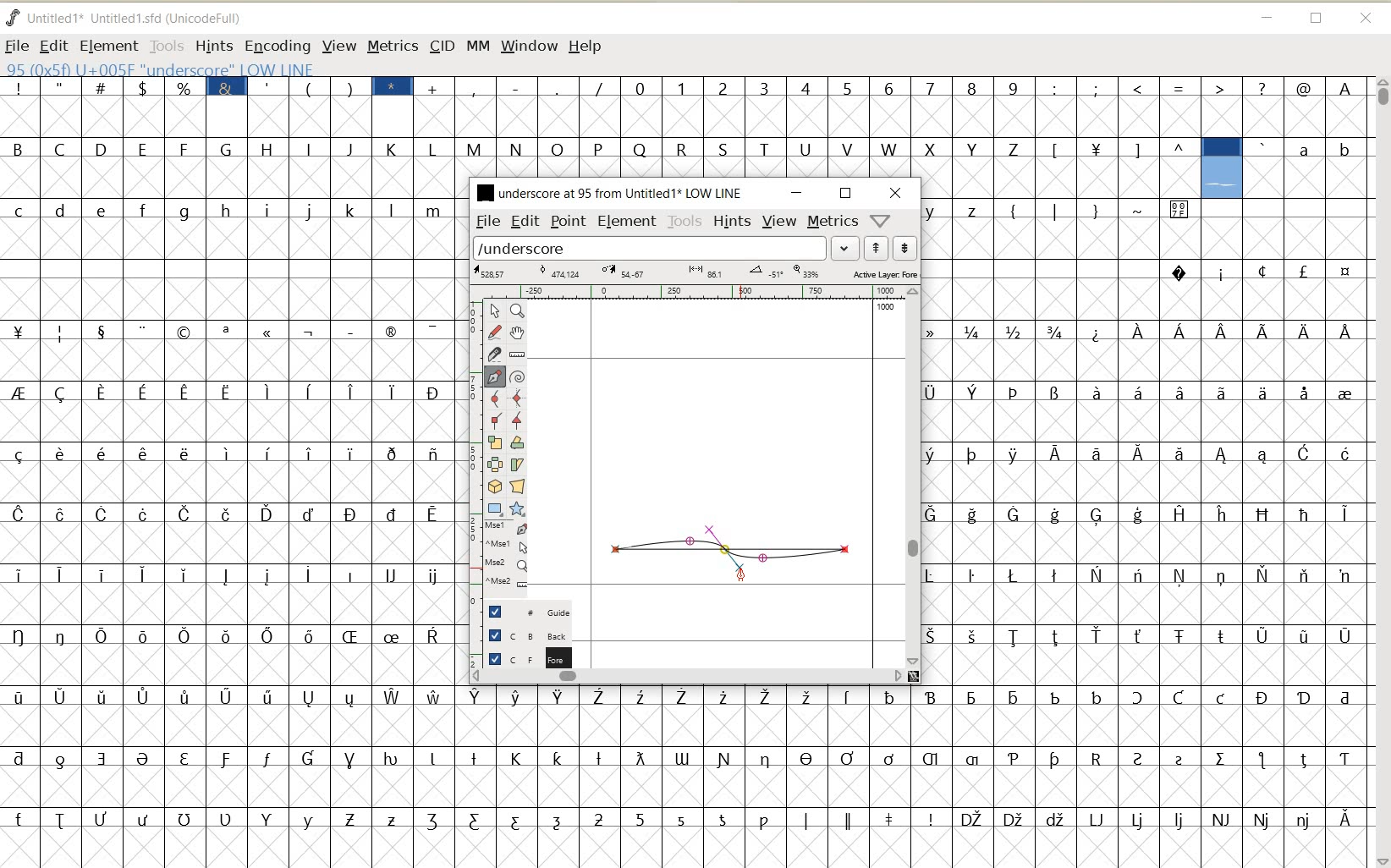 The height and width of the screenshot is (868, 1391). Describe the element at coordinates (1317, 19) in the screenshot. I see `RESTORE` at that location.